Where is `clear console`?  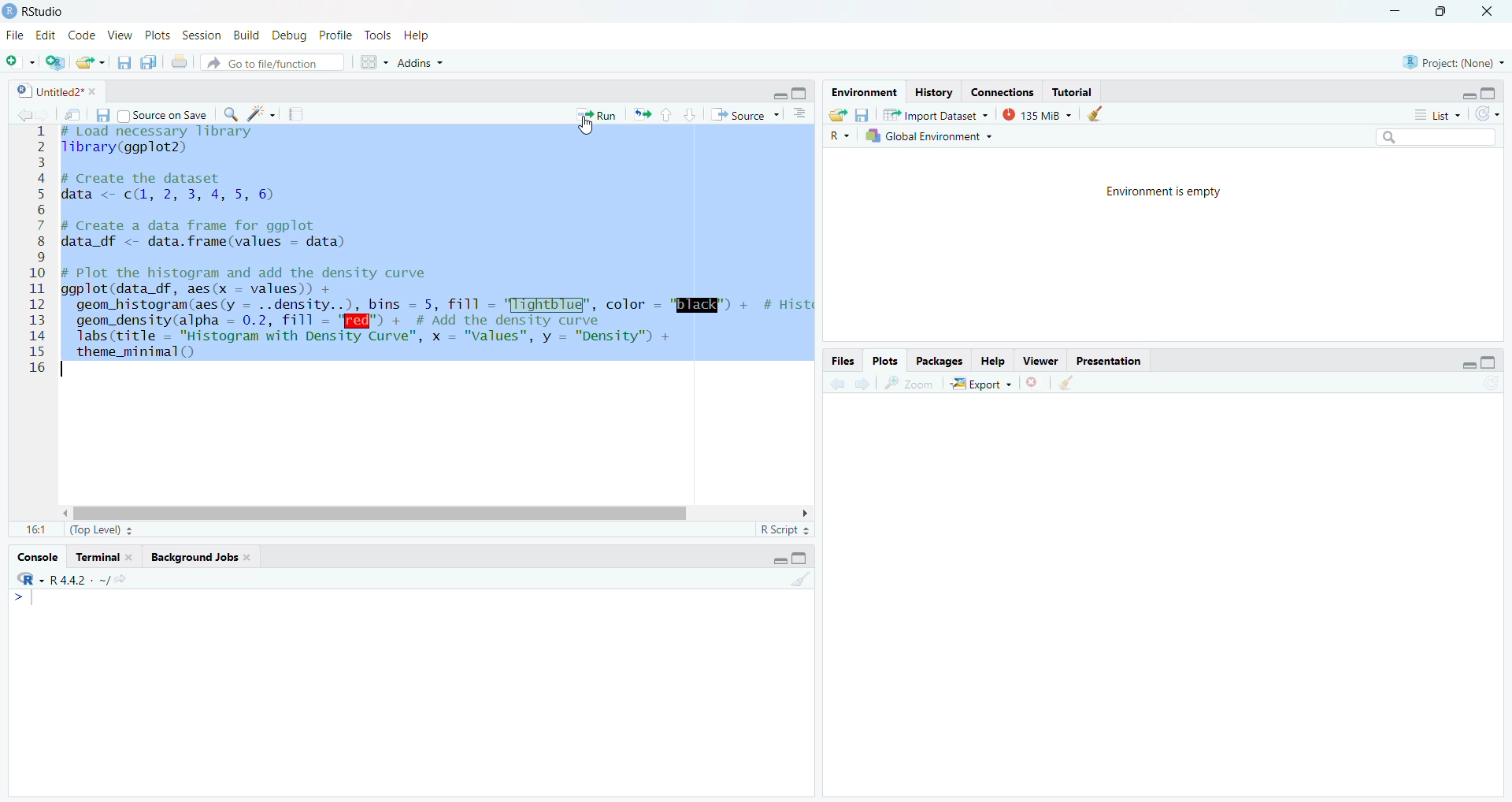 clear console is located at coordinates (800, 581).